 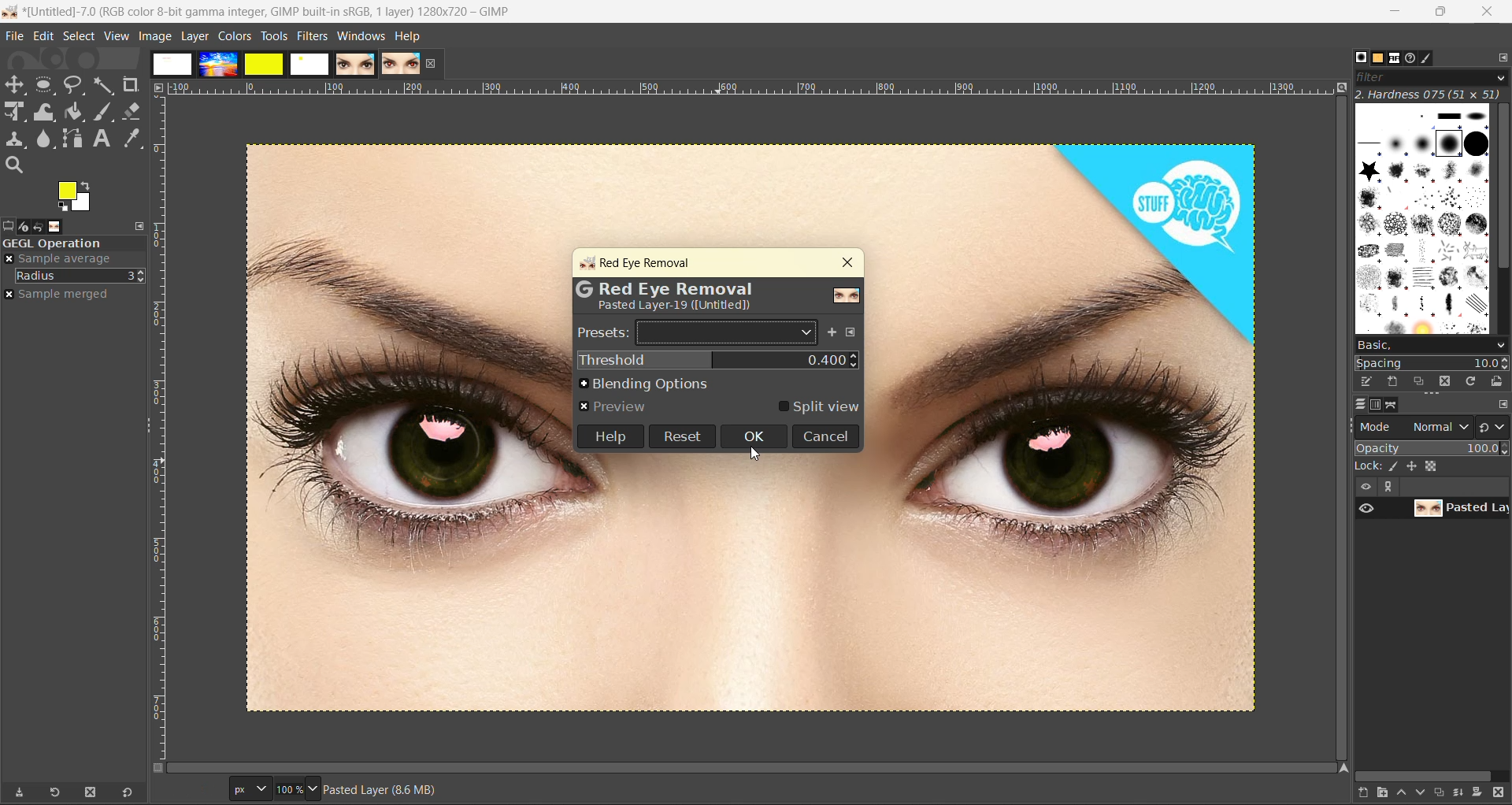 I want to click on create a new layer, so click(x=1355, y=794).